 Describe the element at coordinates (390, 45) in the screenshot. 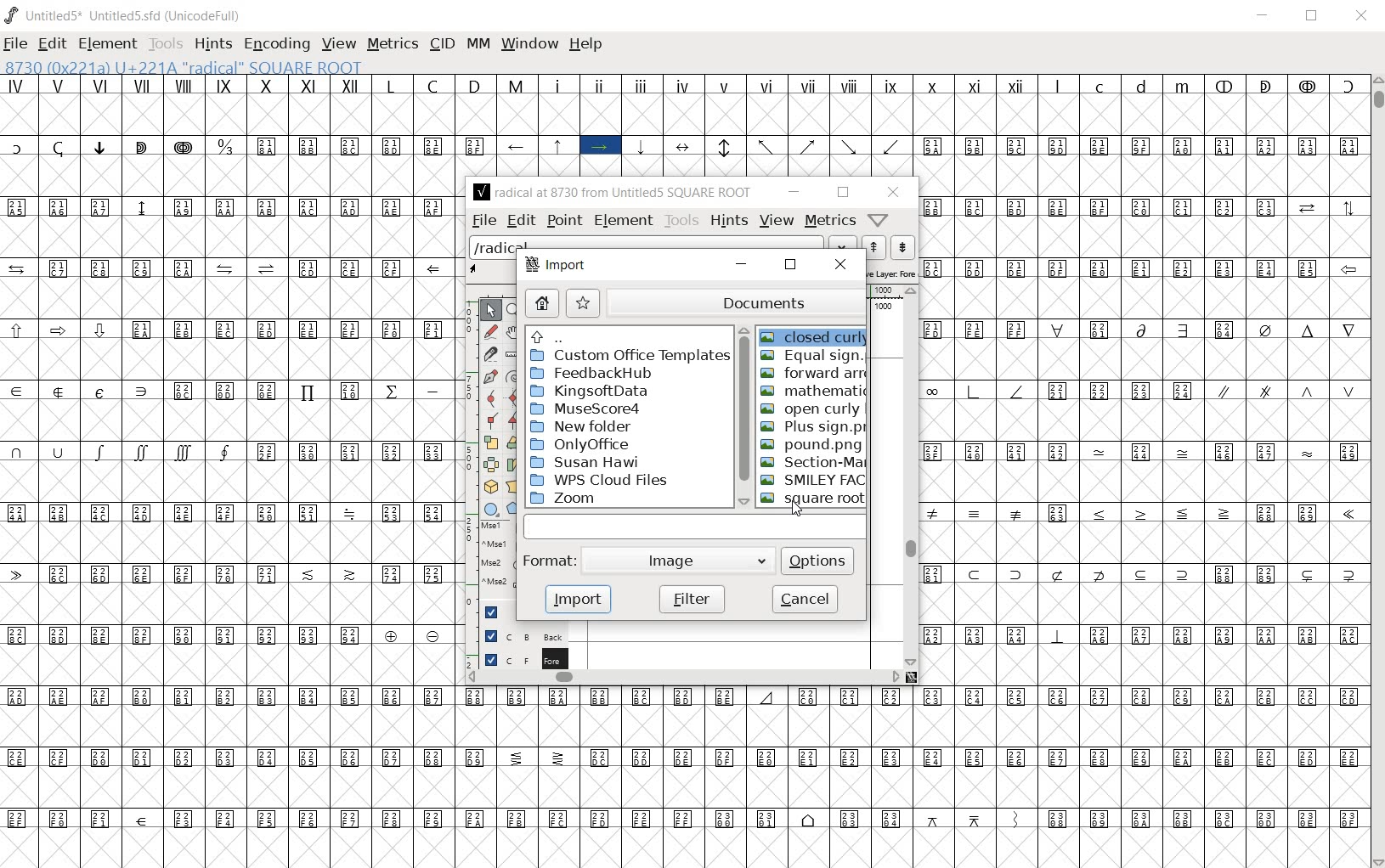

I see `METRICS` at that location.